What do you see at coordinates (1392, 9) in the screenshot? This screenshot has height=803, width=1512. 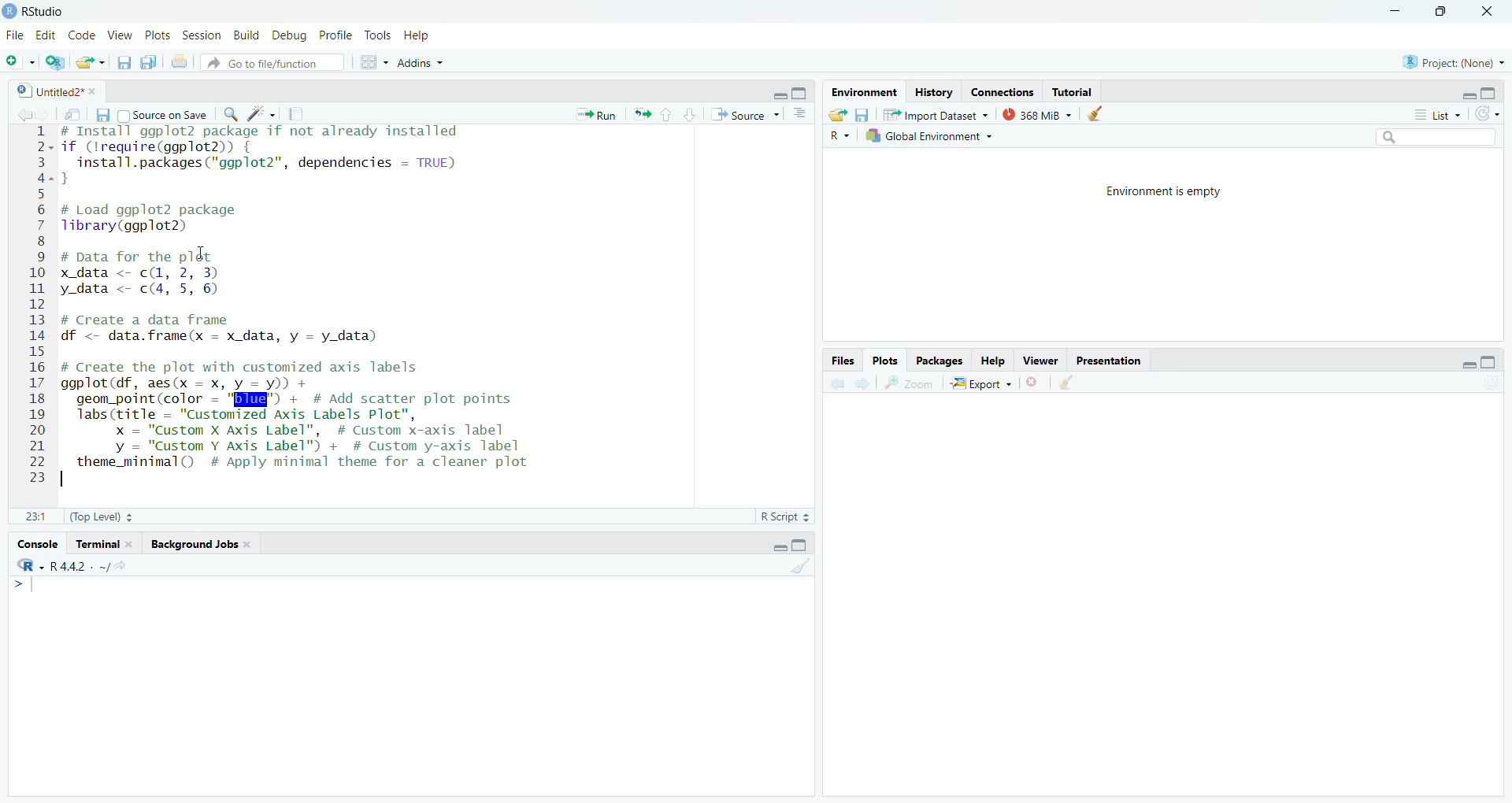 I see `minimise` at bounding box center [1392, 9].